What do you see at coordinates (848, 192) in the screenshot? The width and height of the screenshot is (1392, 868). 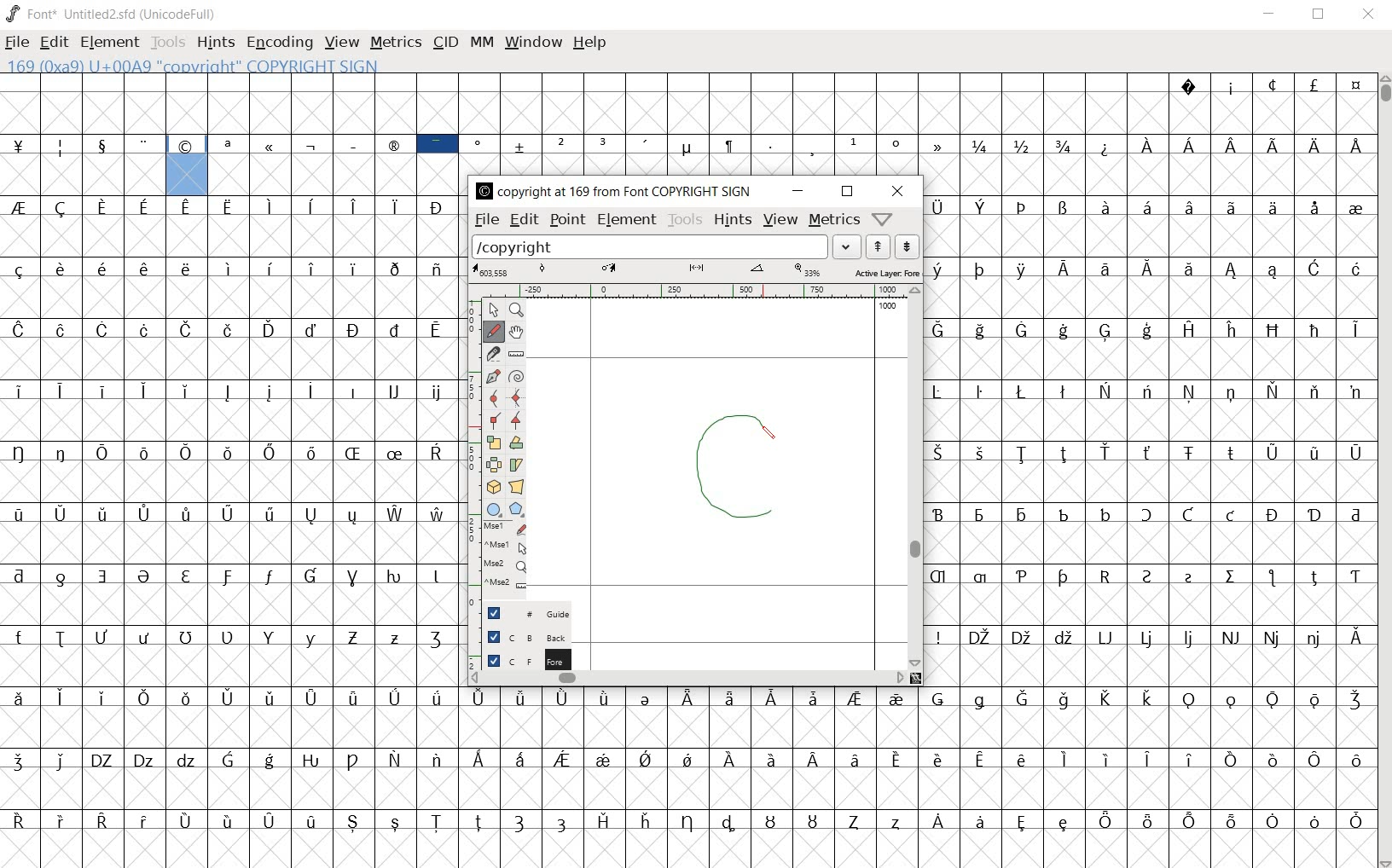 I see `restore` at bounding box center [848, 192].